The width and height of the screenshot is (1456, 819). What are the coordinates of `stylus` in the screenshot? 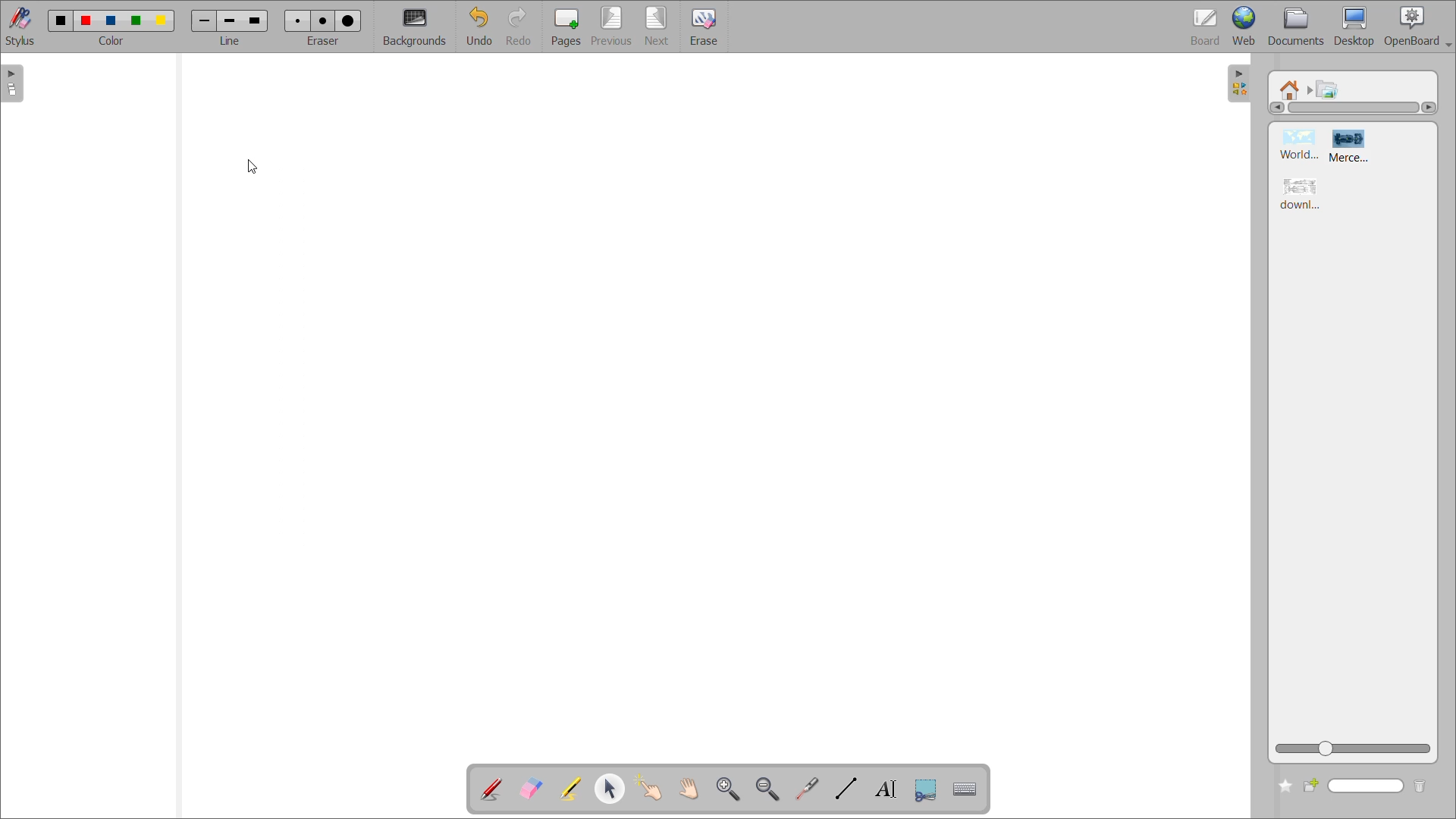 It's located at (19, 27).